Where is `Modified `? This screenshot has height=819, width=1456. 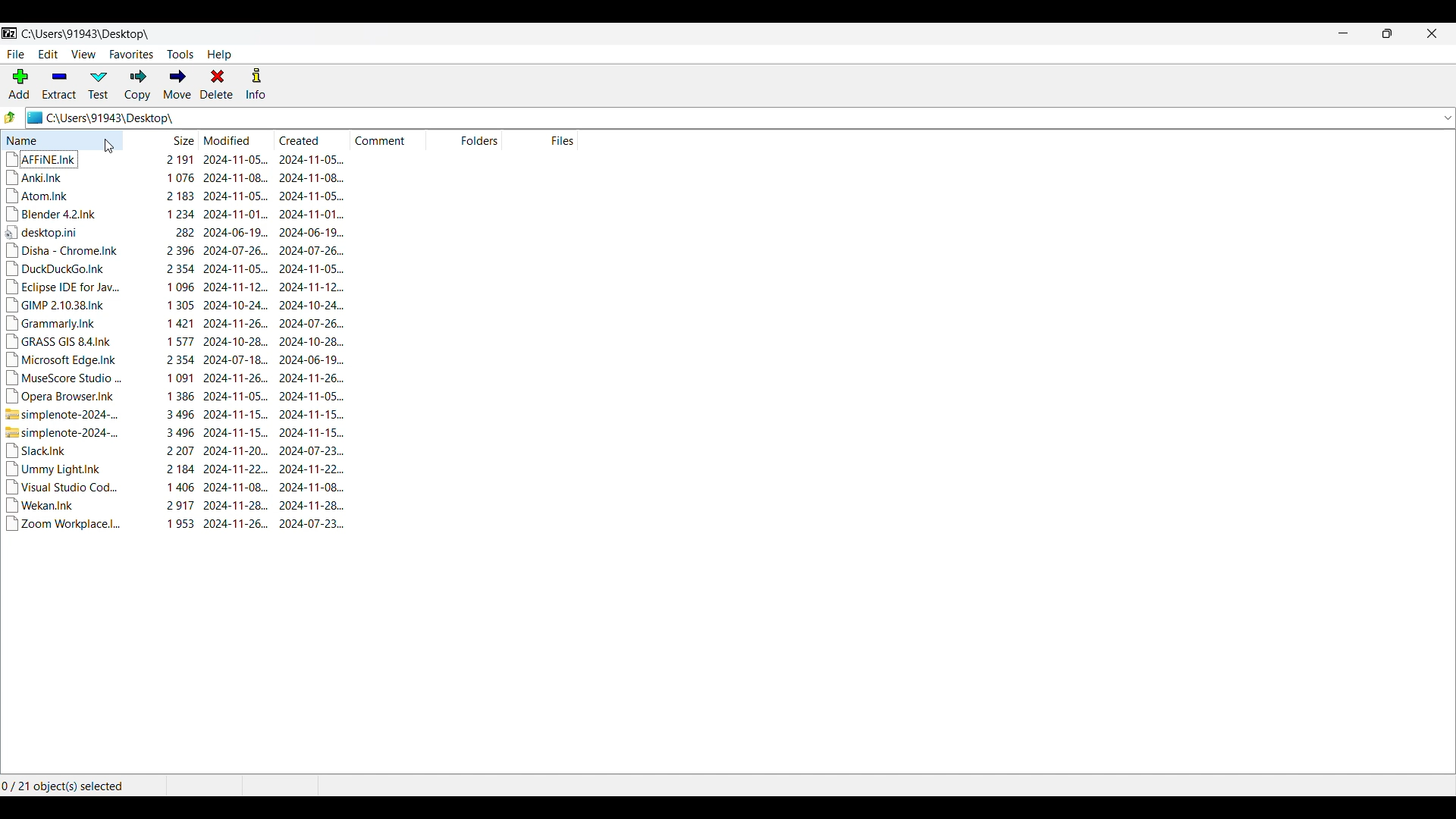 Modified  is located at coordinates (227, 140).